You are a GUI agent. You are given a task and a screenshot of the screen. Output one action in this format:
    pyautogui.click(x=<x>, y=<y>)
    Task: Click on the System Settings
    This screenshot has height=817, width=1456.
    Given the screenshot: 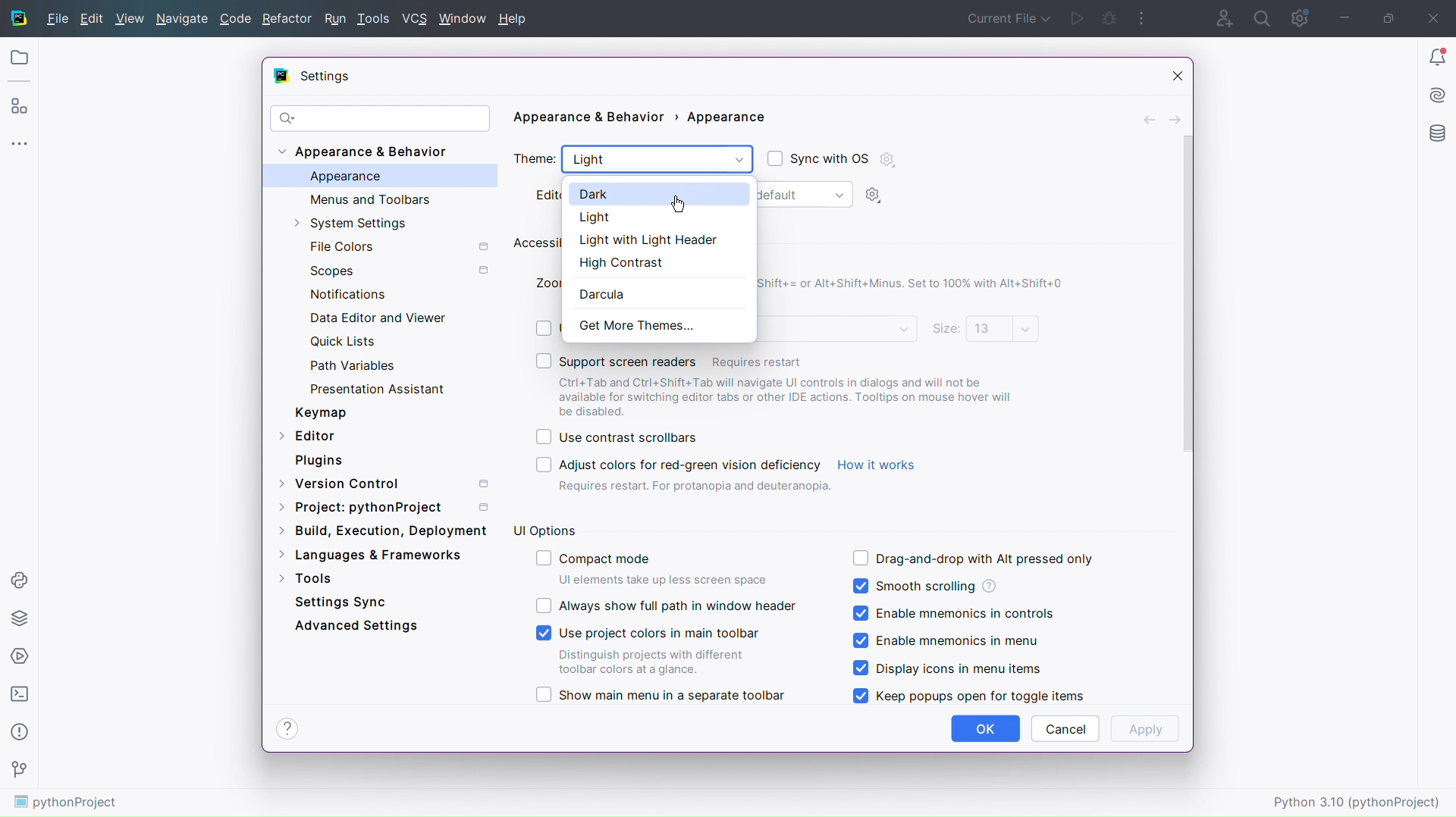 What is the action you would take?
    pyautogui.click(x=365, y=224)
    